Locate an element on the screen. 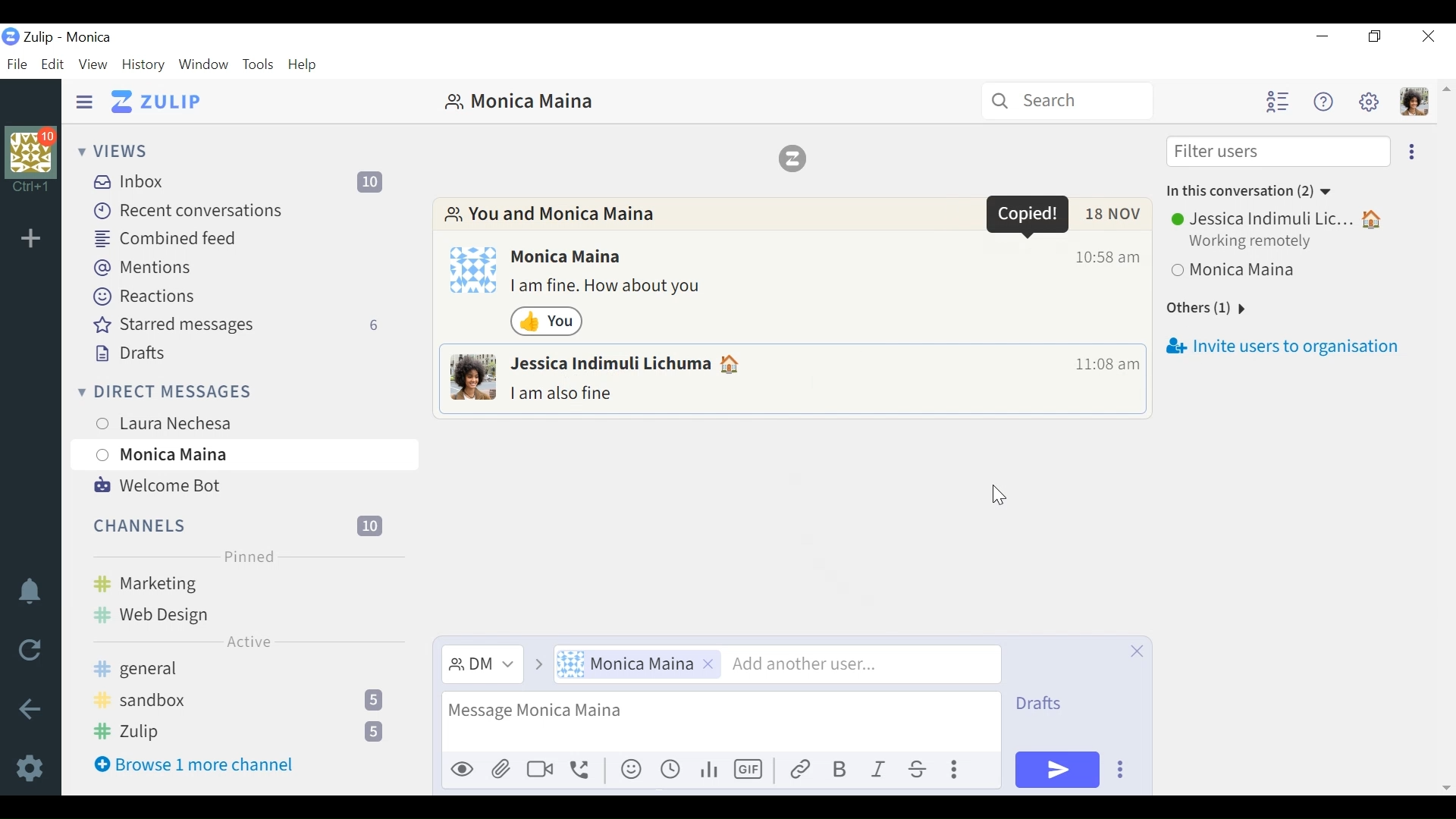  Active is located at coordinates (249, 642).